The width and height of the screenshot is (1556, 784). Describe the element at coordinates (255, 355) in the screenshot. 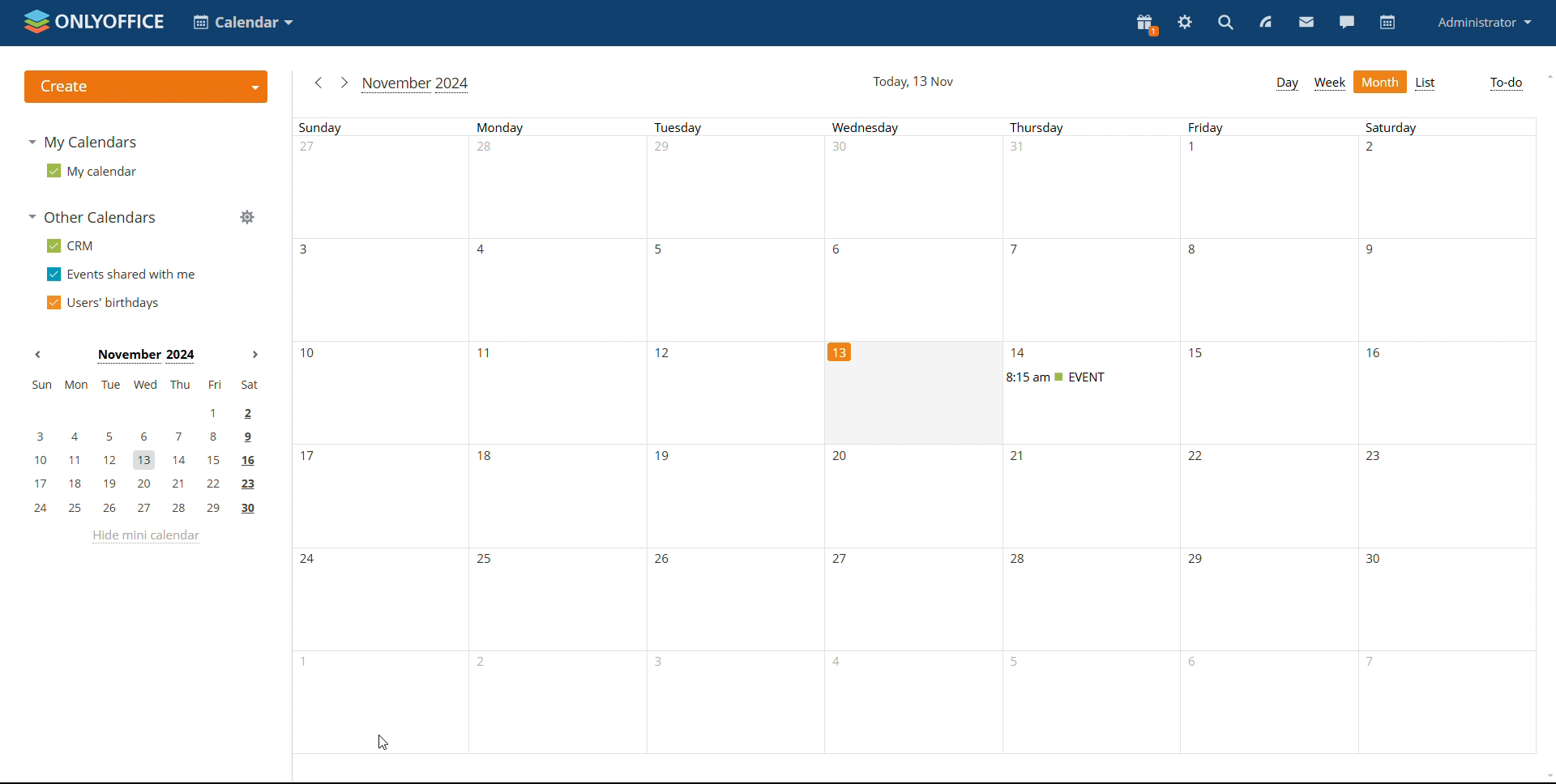

I see `next month` at that location.